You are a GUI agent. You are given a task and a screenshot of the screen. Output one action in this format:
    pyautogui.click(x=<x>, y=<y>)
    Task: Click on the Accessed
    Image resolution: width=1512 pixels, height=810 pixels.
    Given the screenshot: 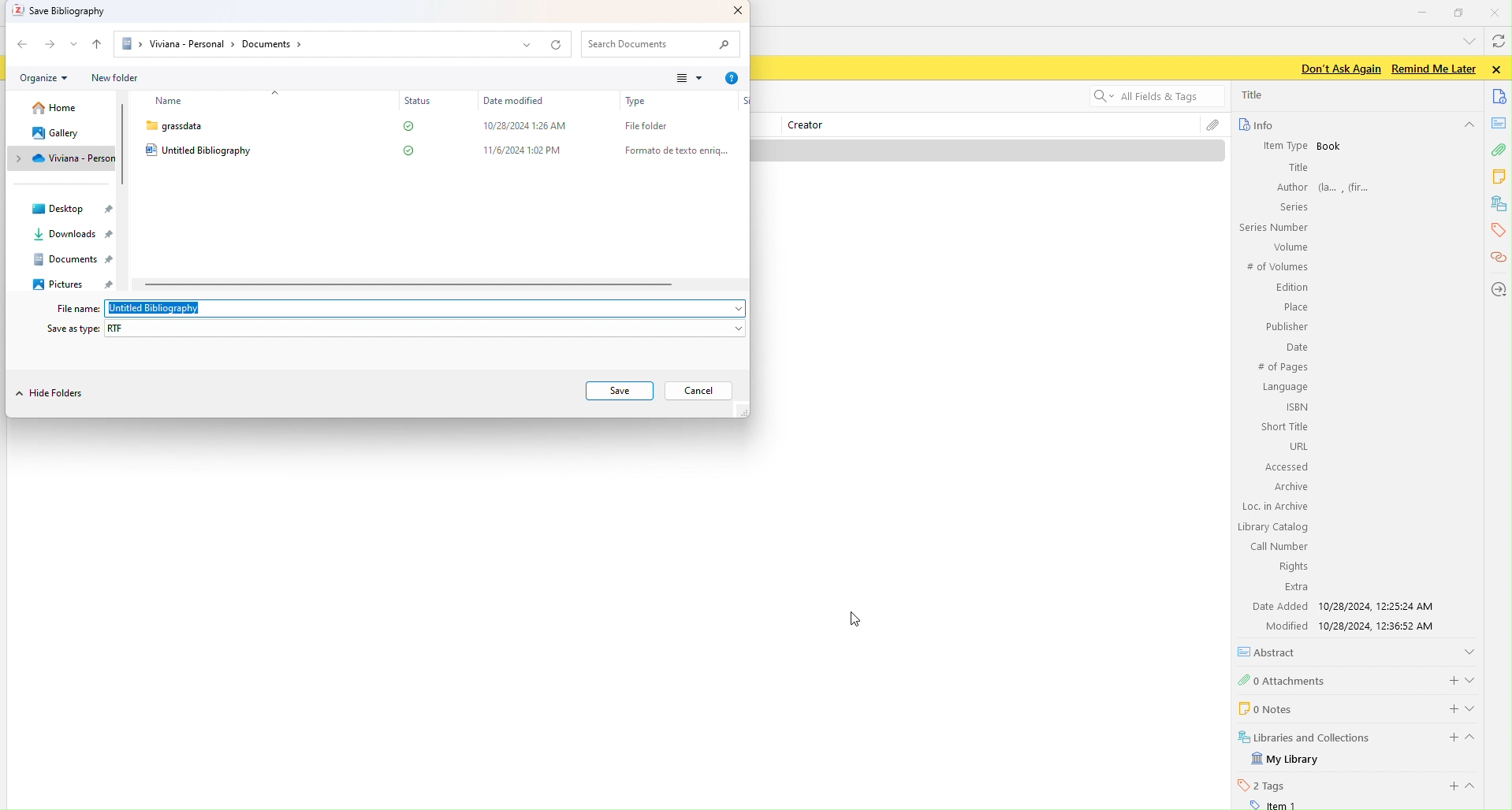 What is the action you would take?
    pyautogui.click(x=1286, y=467)
    